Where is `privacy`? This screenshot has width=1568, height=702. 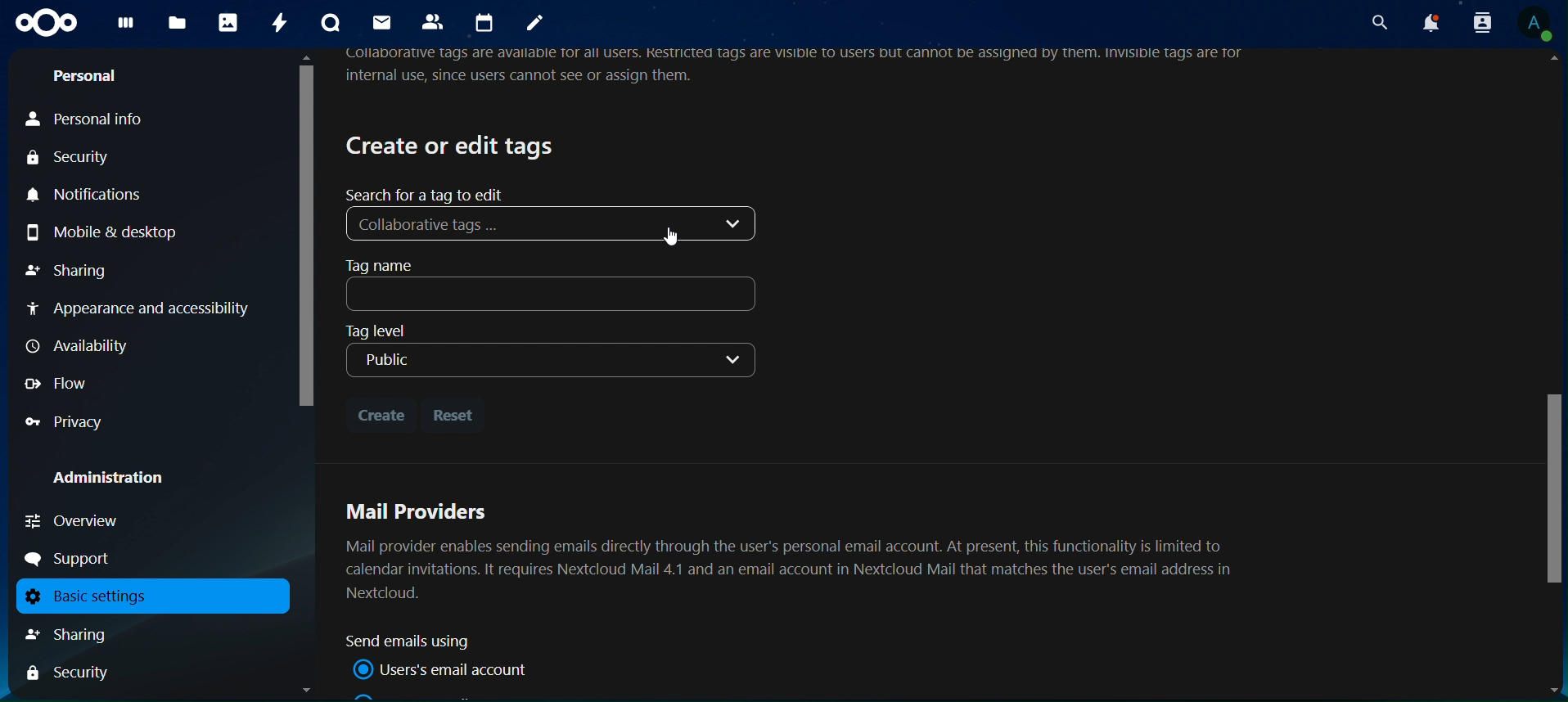 privacy is located at coordinates (65, 422).